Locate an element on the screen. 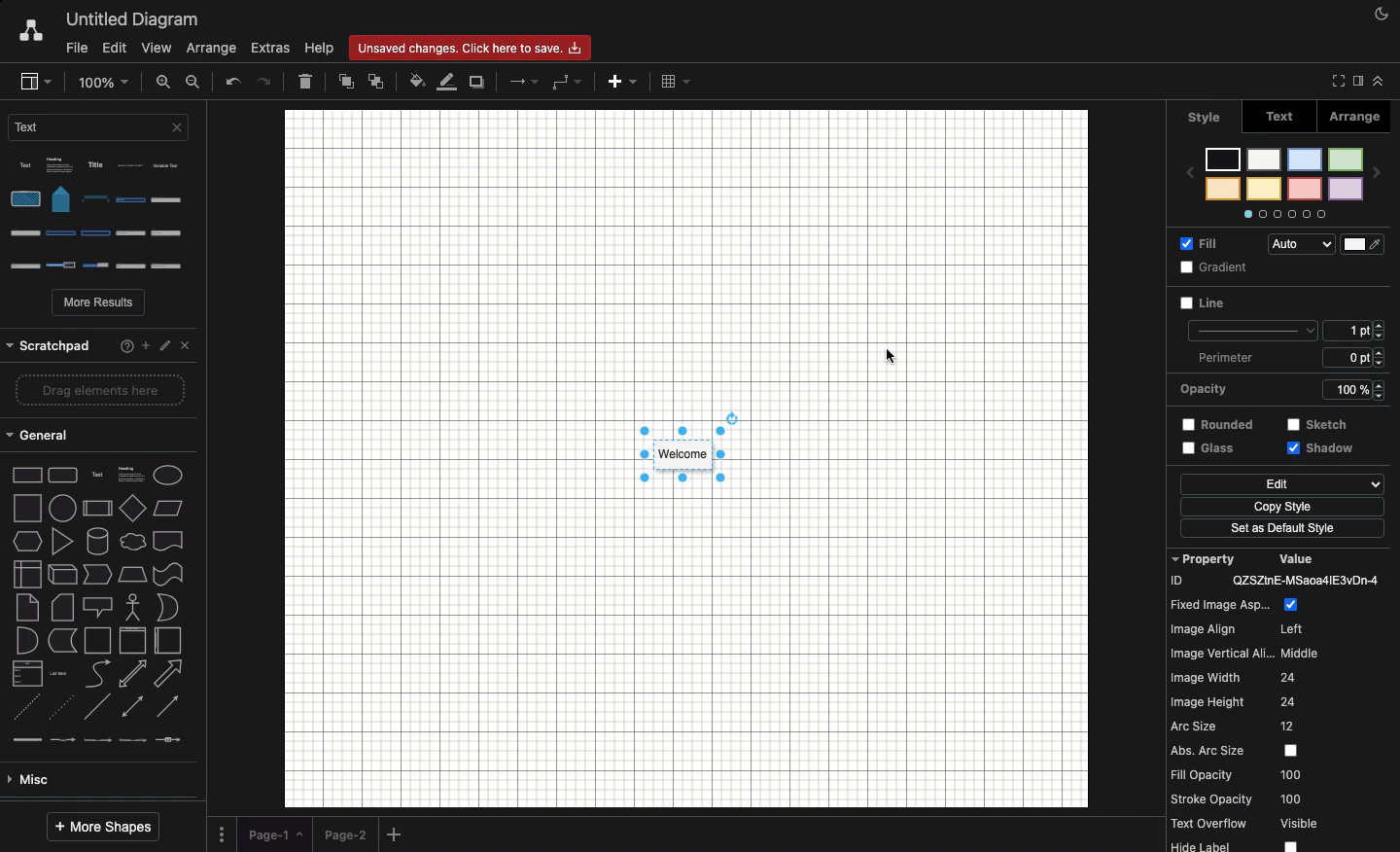 This screenshot has height=852, width=1400. Line fill is located at coordinates (448, 81).